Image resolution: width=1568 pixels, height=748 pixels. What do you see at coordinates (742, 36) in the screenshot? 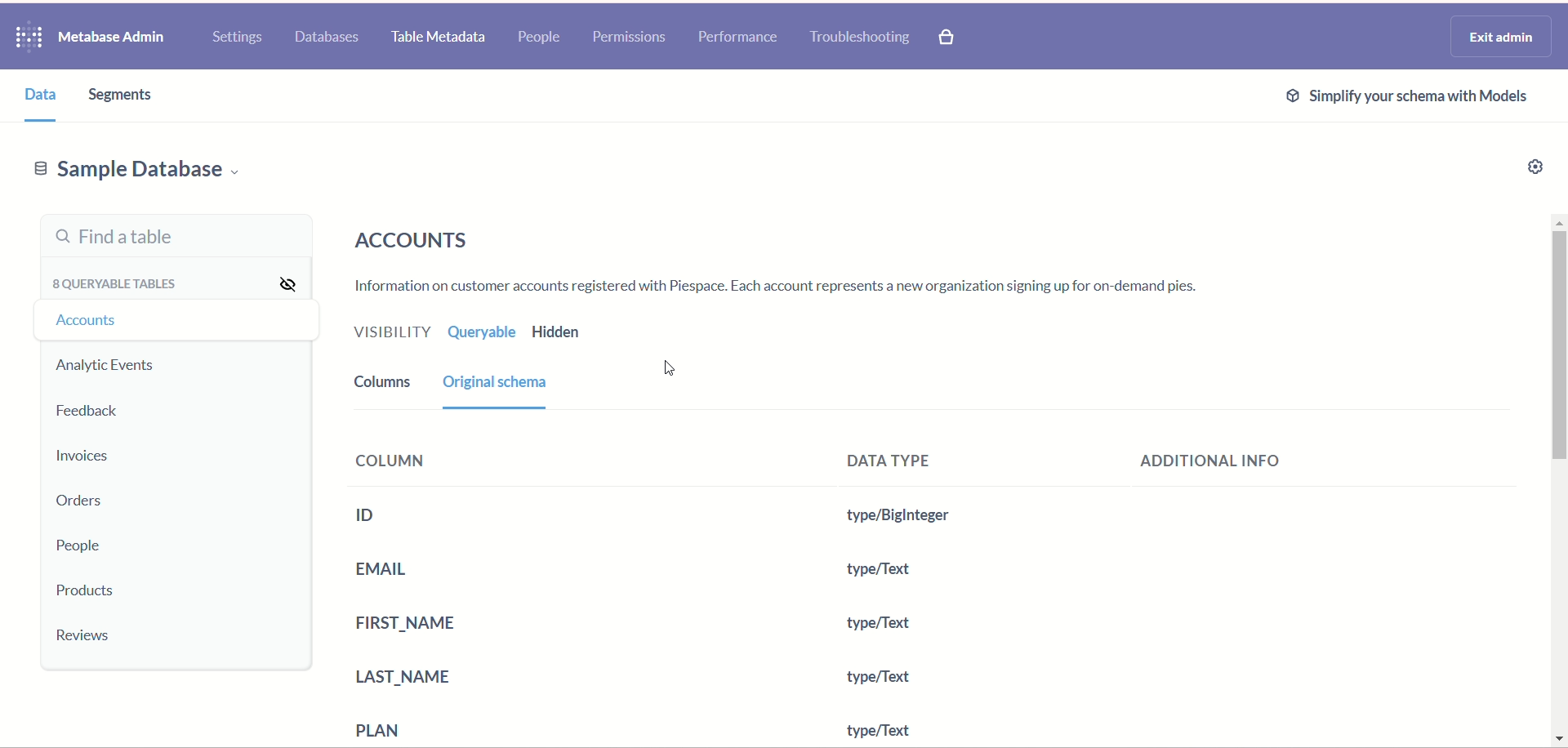
I see `performance` at bounding box center [742, 36].